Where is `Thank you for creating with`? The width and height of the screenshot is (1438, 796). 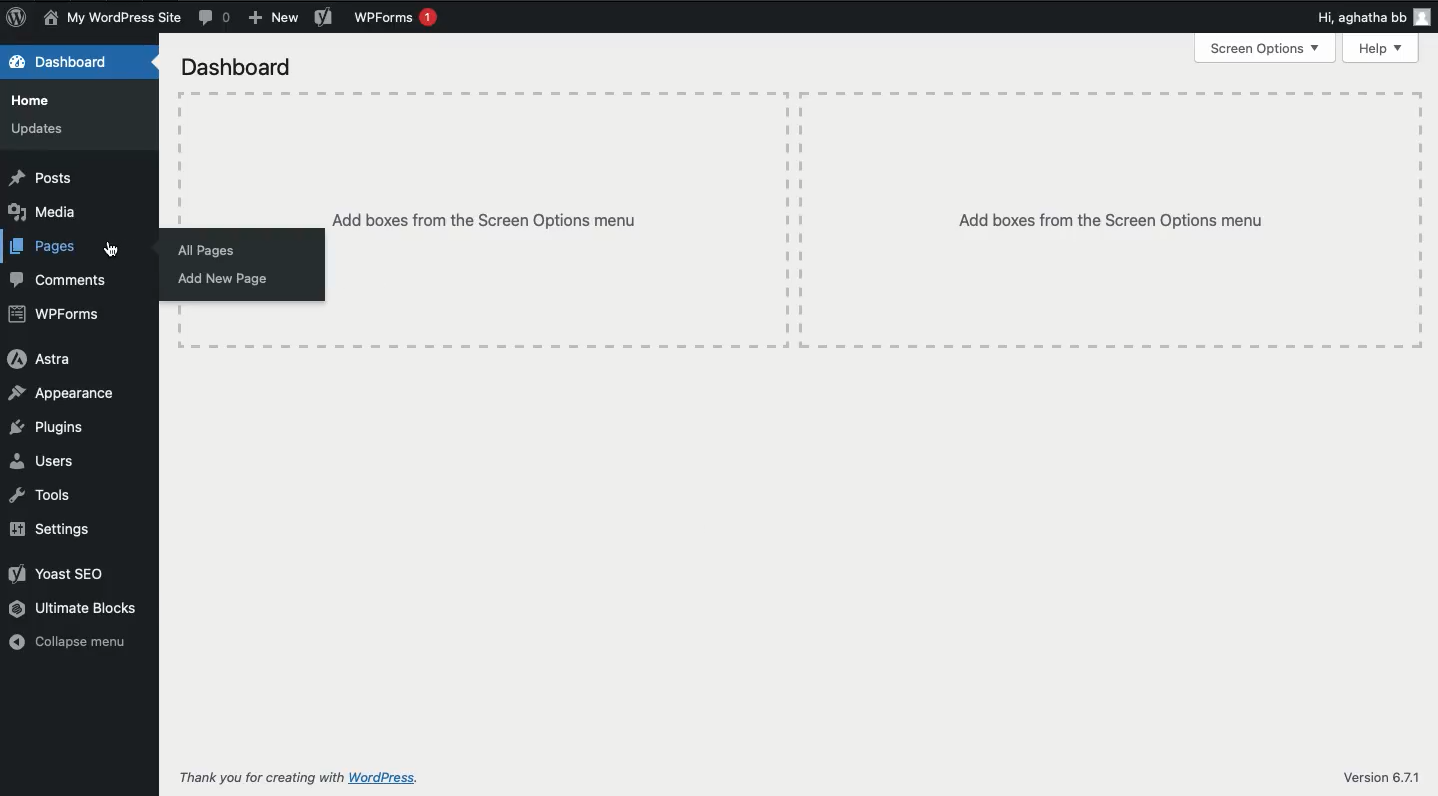 Thank you for creating with is located at coordinates (257, 778).